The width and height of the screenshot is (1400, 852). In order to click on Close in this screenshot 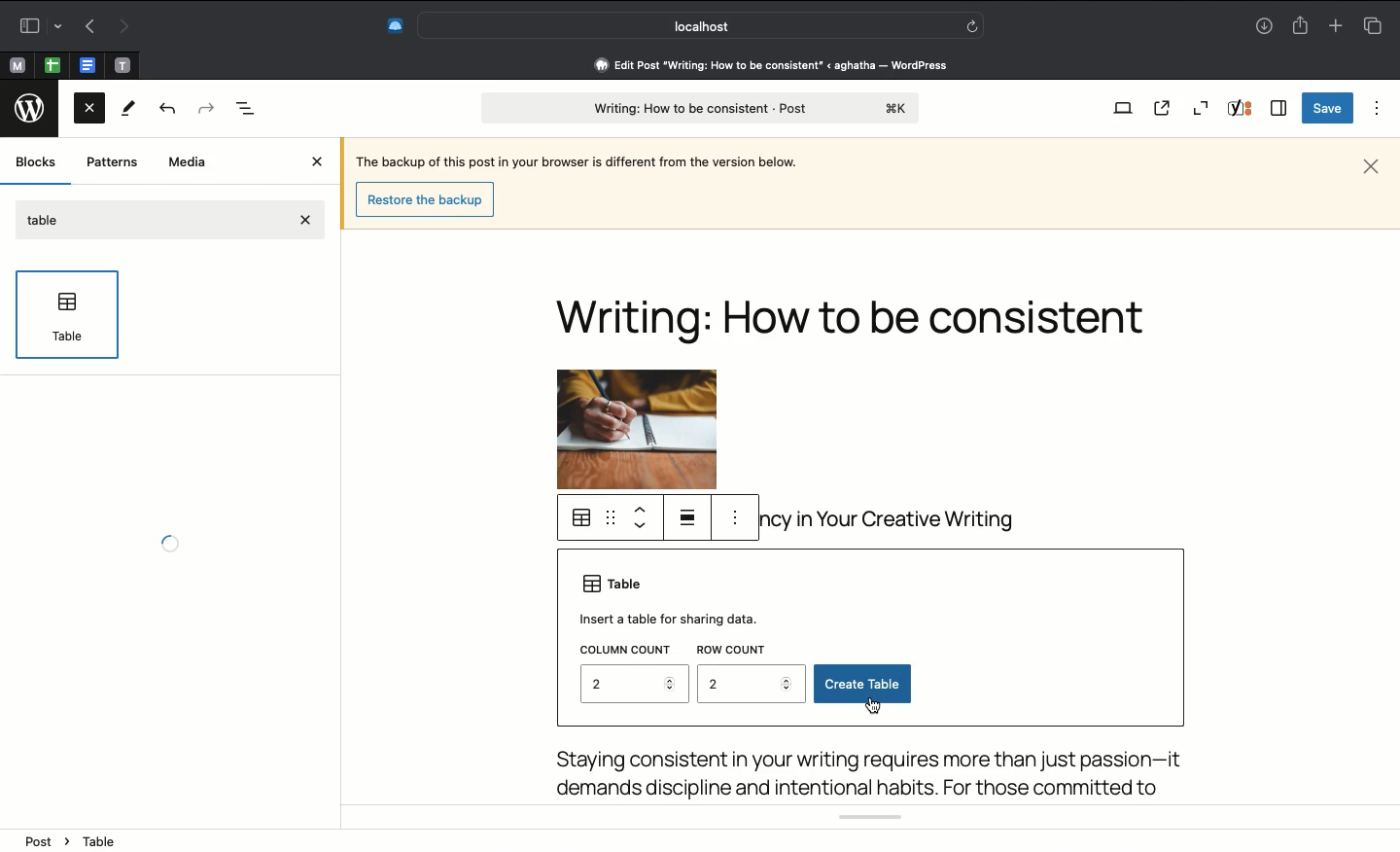, I will do `click(320, 162)`.